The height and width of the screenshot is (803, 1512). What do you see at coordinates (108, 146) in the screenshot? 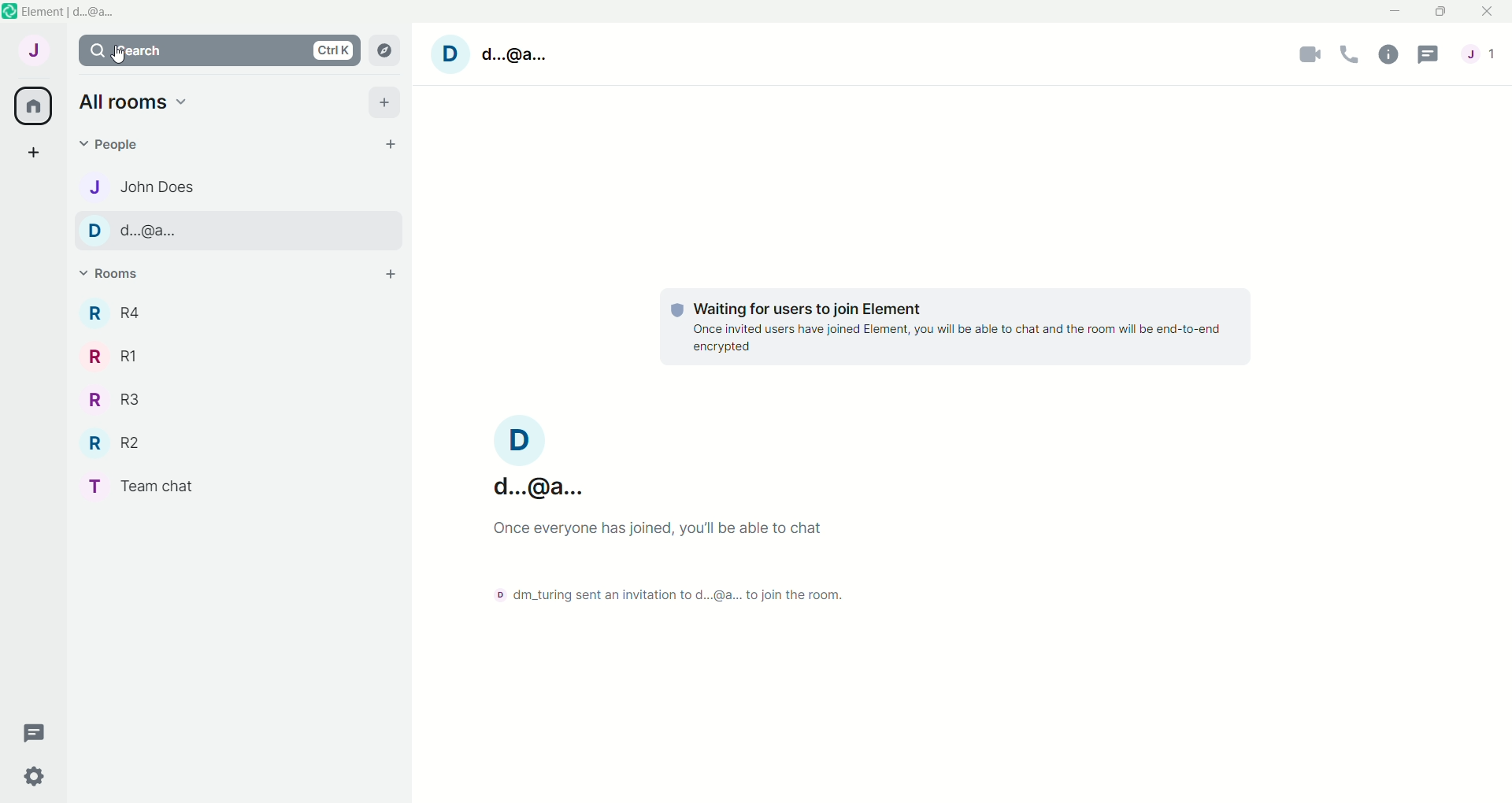
I see `people` at bounding box center [108, 146].